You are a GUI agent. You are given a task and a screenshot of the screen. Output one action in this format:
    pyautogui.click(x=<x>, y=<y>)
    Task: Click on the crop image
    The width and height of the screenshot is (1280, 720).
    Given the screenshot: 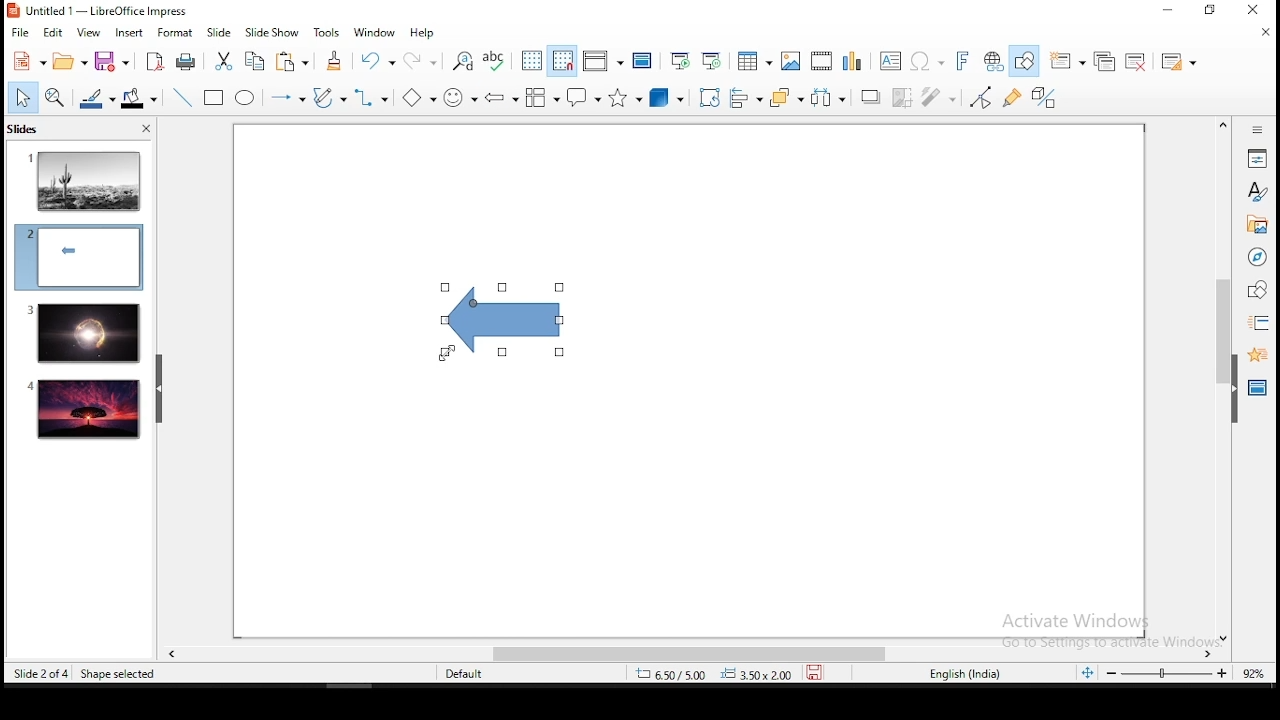 What is the action you would take?
    pyautogui.click(x=906, y=96)
    